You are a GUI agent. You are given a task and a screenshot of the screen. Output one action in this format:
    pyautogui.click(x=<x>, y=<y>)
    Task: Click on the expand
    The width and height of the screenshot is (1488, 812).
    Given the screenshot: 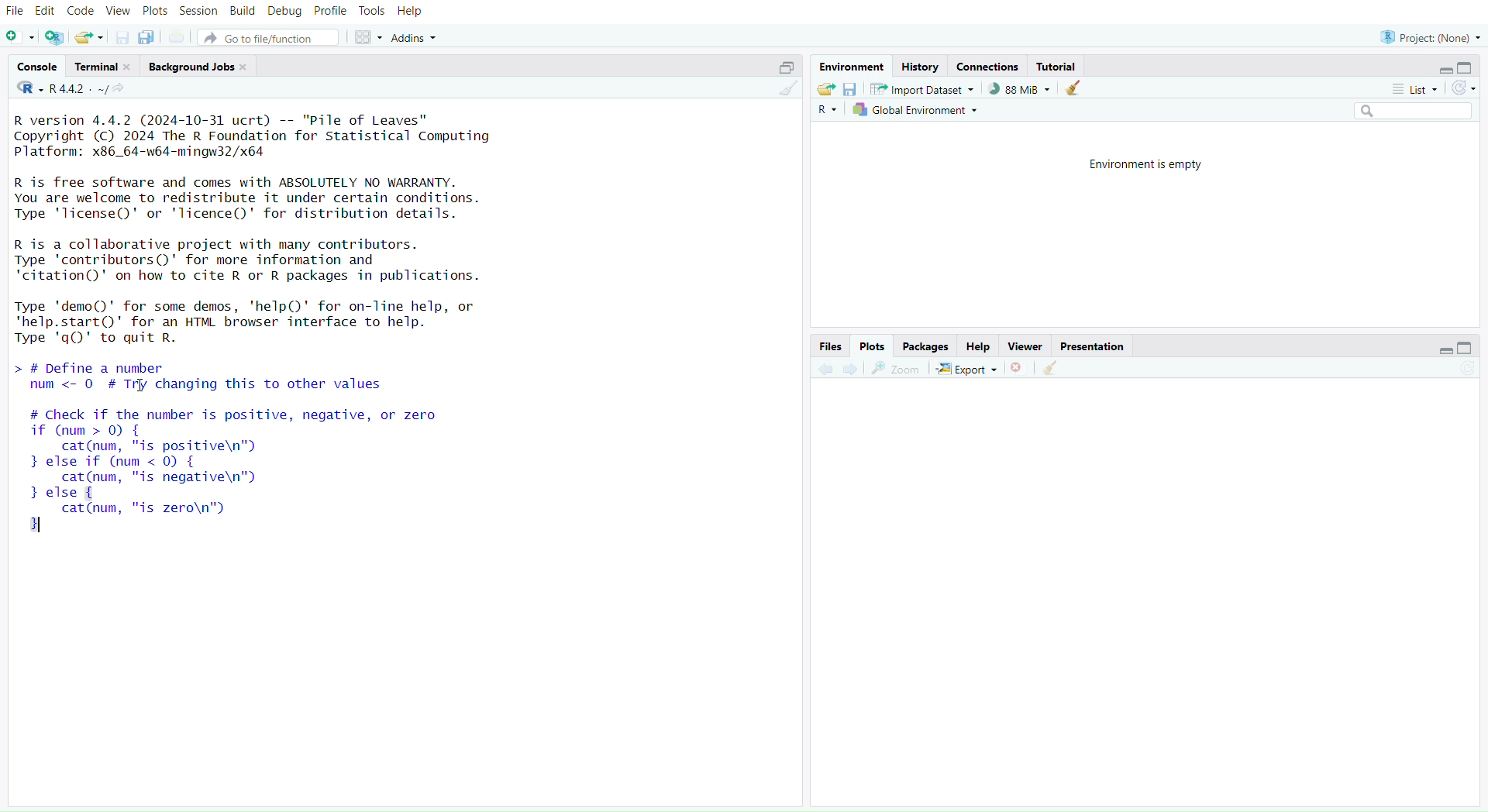 What is the action you would take?
    pyautogui.click(x=782, y=67)
    